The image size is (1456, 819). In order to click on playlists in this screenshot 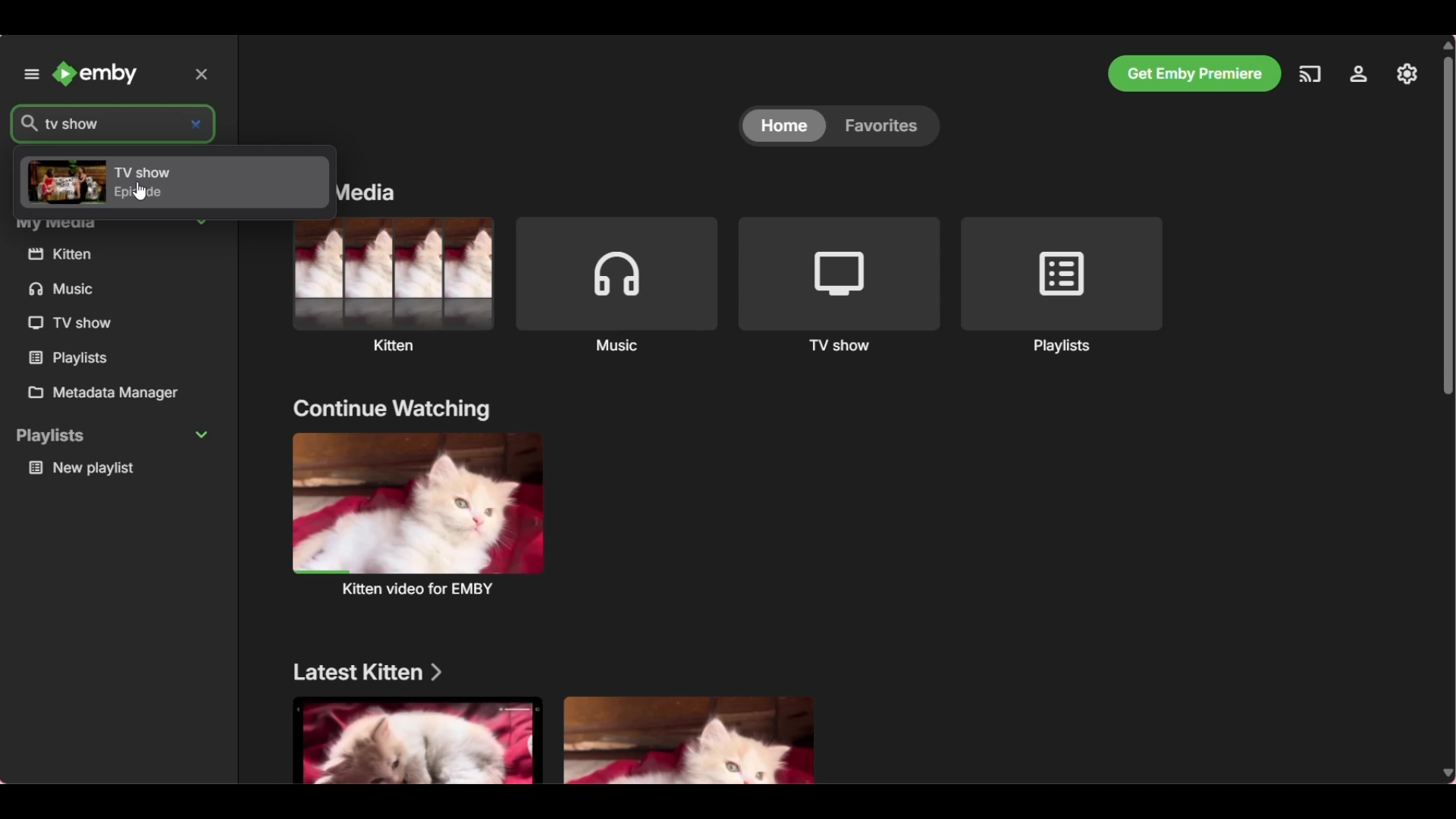, I will do `click(111, 436)`.